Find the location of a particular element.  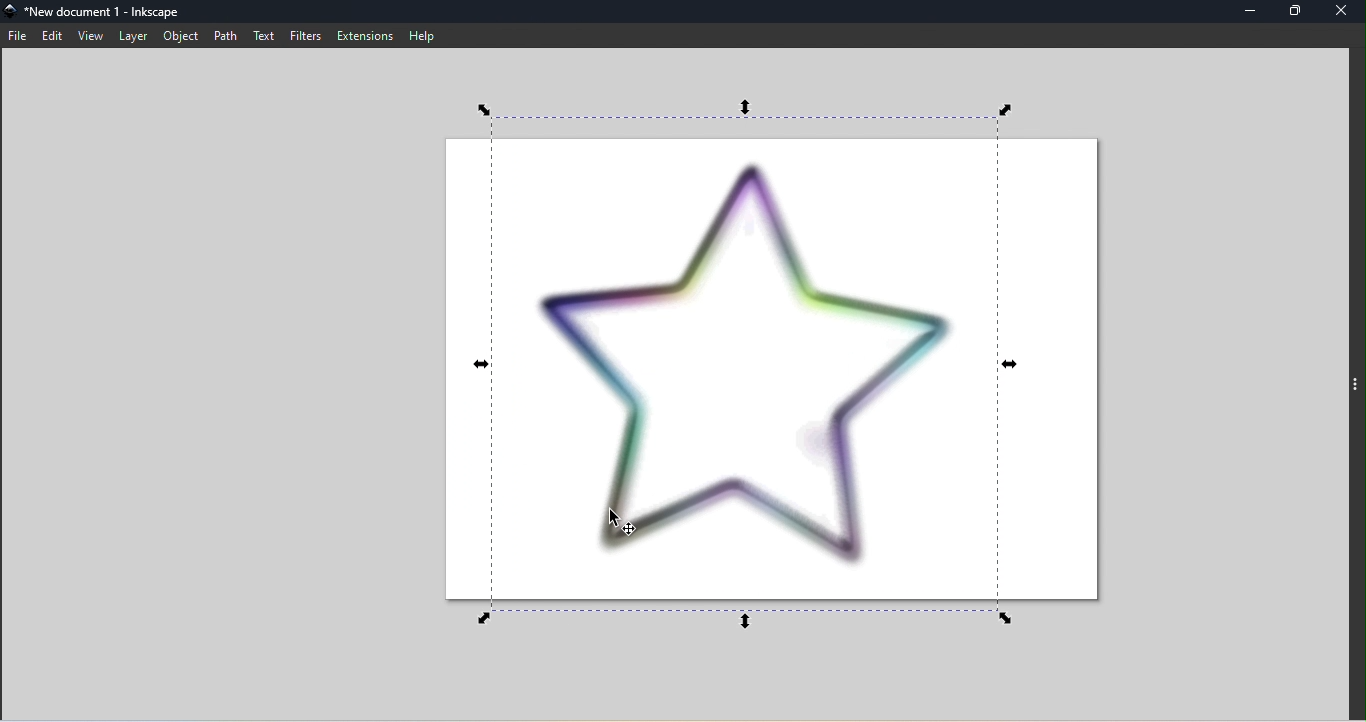

View is located at coordinates (93, 37).